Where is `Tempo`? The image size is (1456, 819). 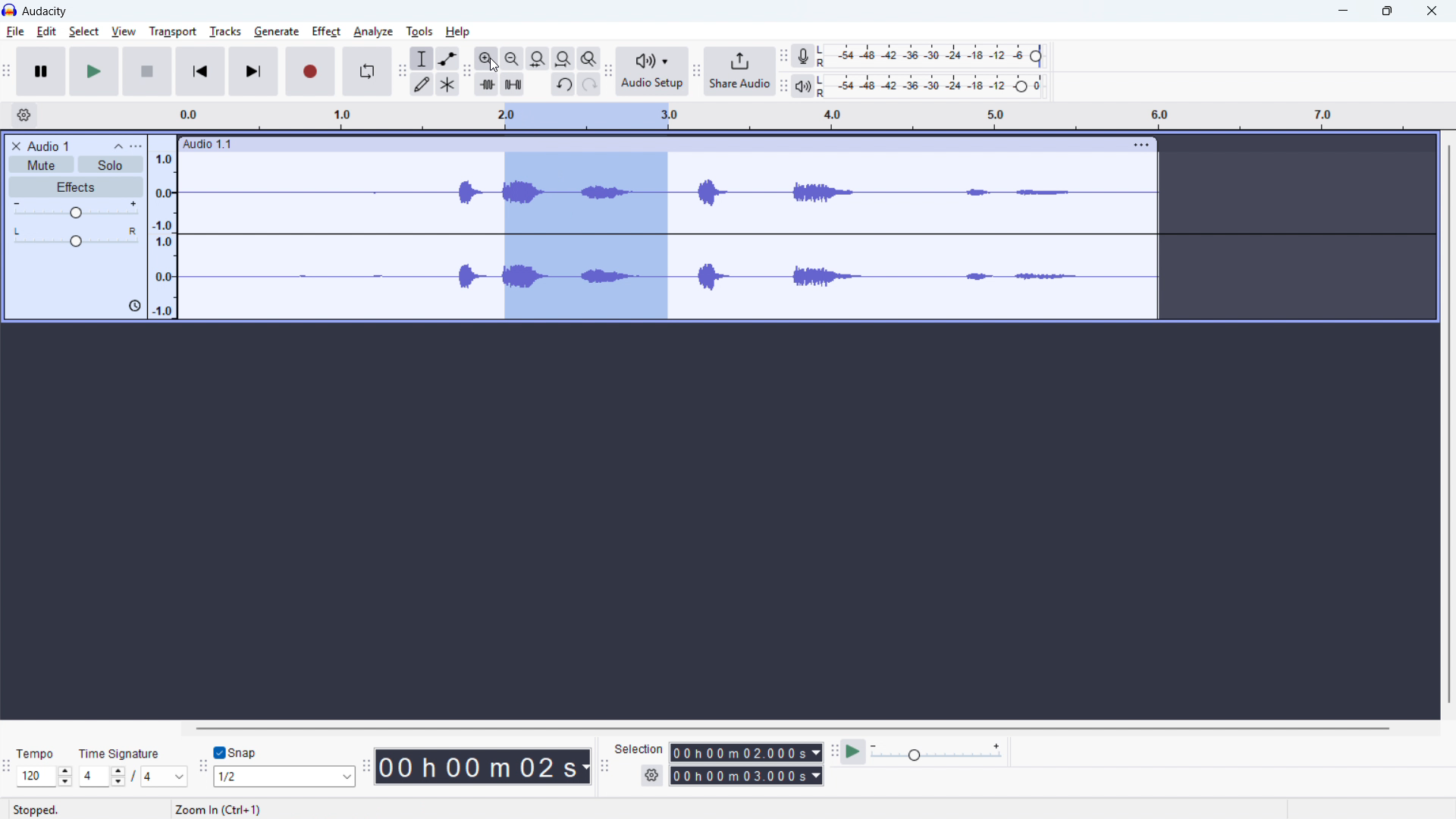
Tempo is located at coordinates (37, 752).